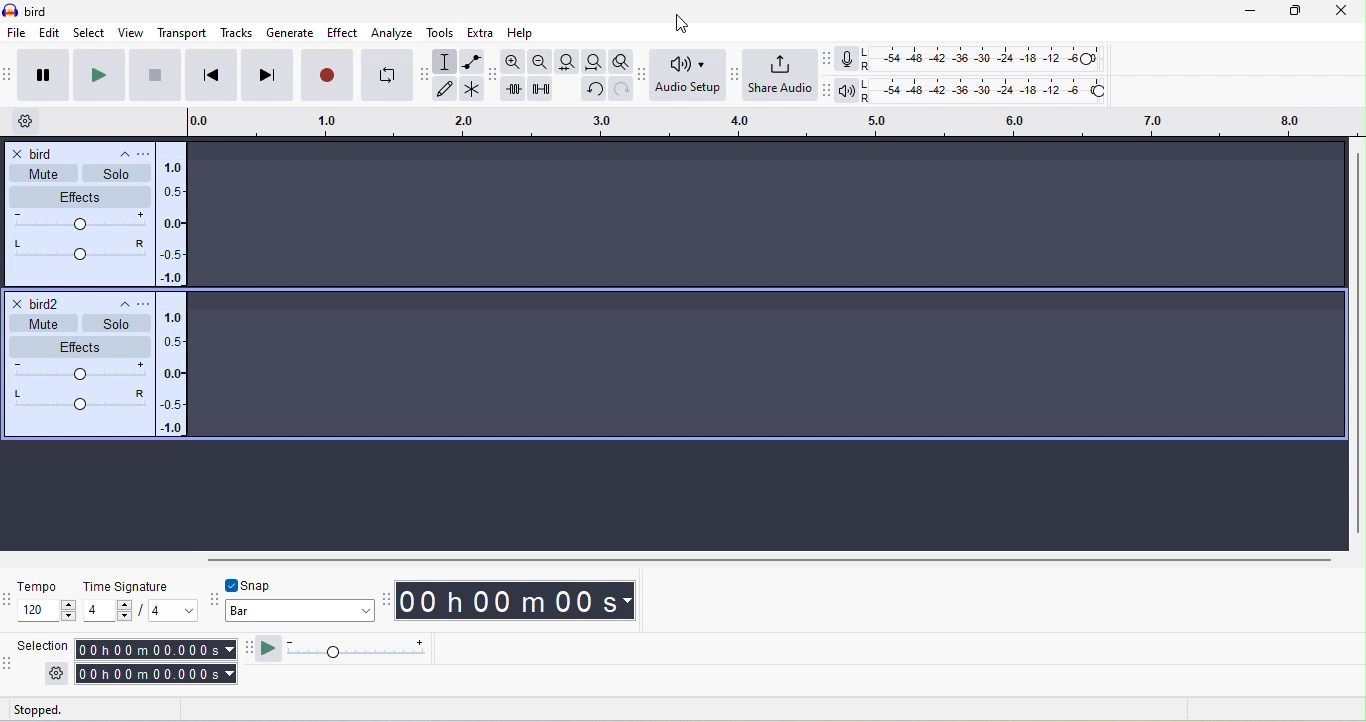  What do you see at coordinates (546, 89) in the screenshot?
I see `silence audio selection` at bounding box center [546, 89].